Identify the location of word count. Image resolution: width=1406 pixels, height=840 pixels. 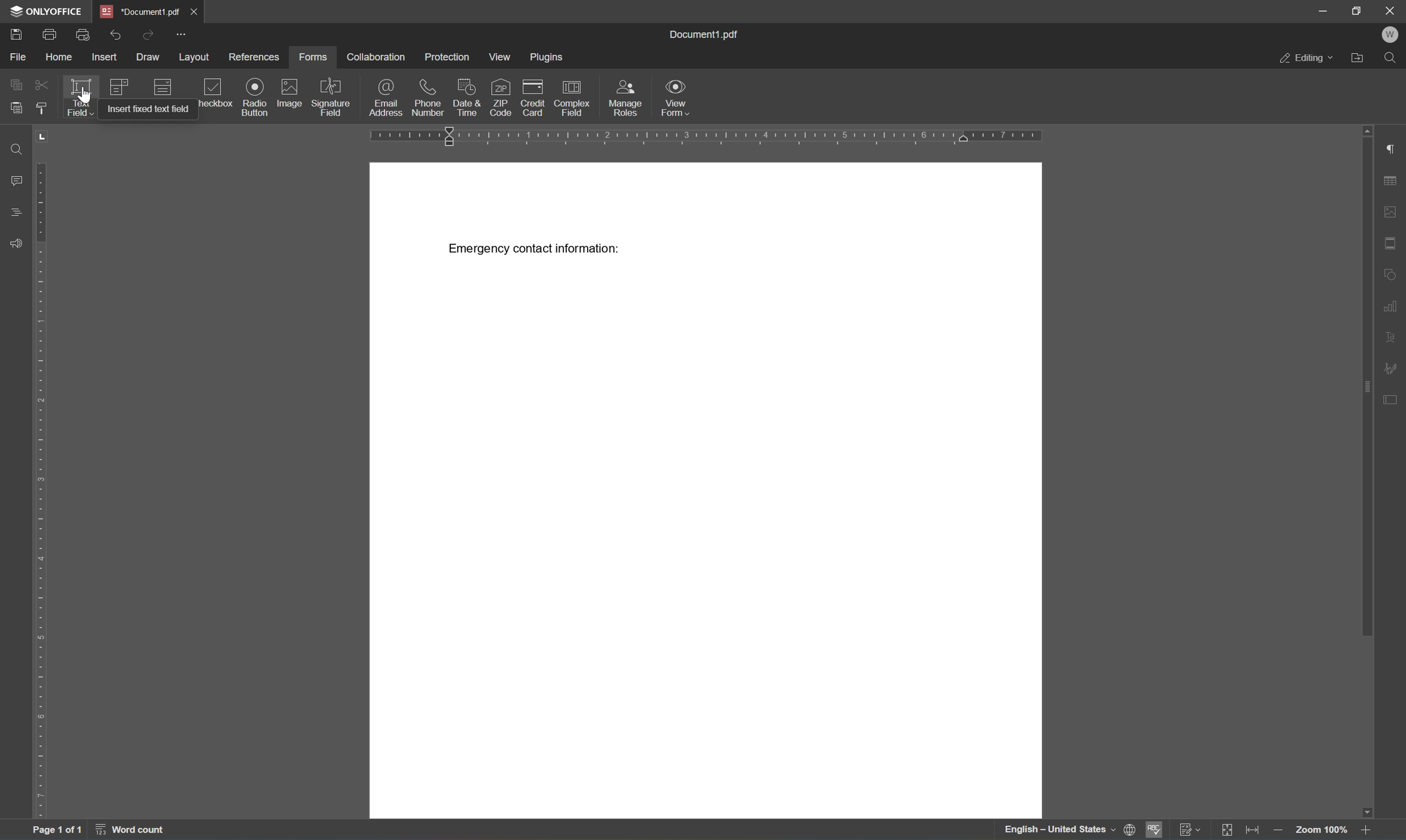
(132, 830).